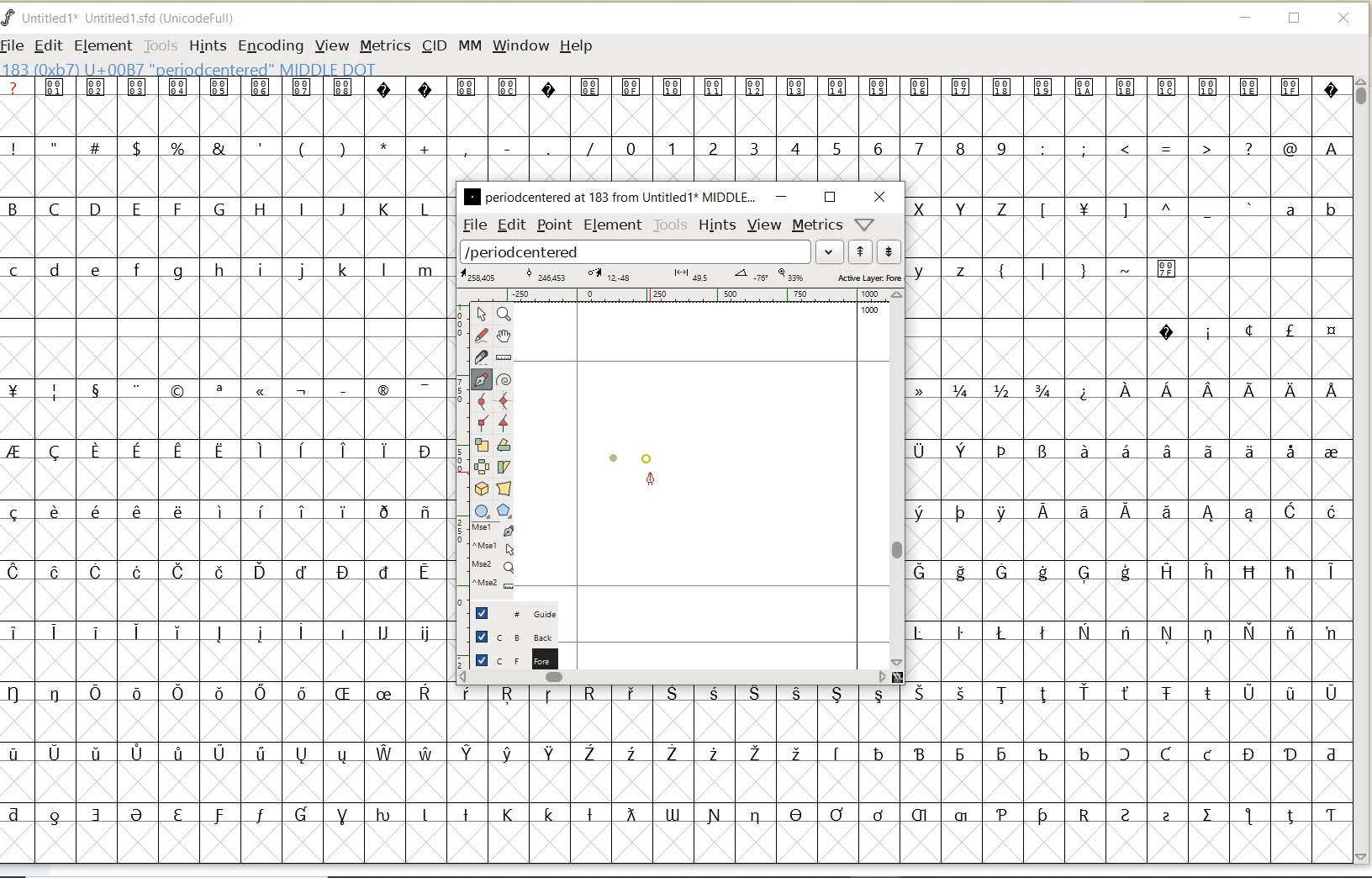 The height and width of the screenshot is (878, 1372). What do you see at coordinates (964, 208) in the screenshot?
I see `uppercase letters` at bounding box center [964, 208].